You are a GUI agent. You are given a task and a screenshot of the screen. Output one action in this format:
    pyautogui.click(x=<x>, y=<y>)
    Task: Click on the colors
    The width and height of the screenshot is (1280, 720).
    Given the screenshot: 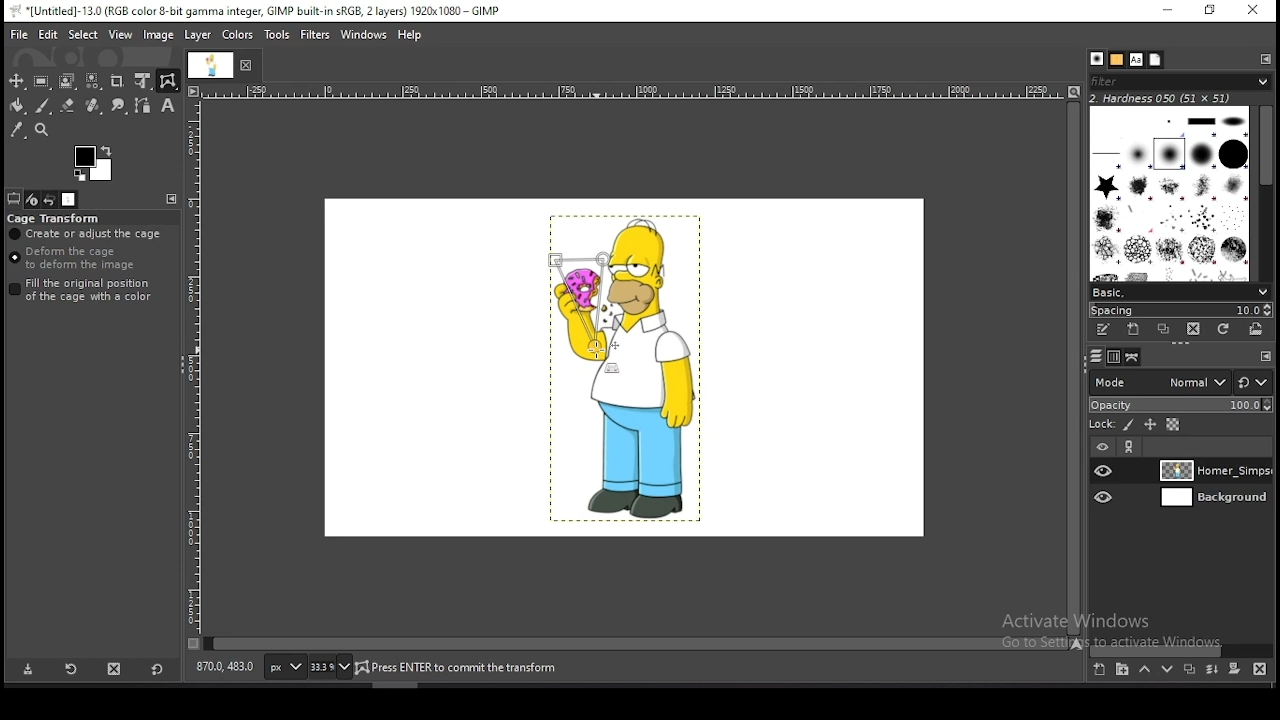 What is the action you would take?
    pyautogui.click(x=94, y=164)
    